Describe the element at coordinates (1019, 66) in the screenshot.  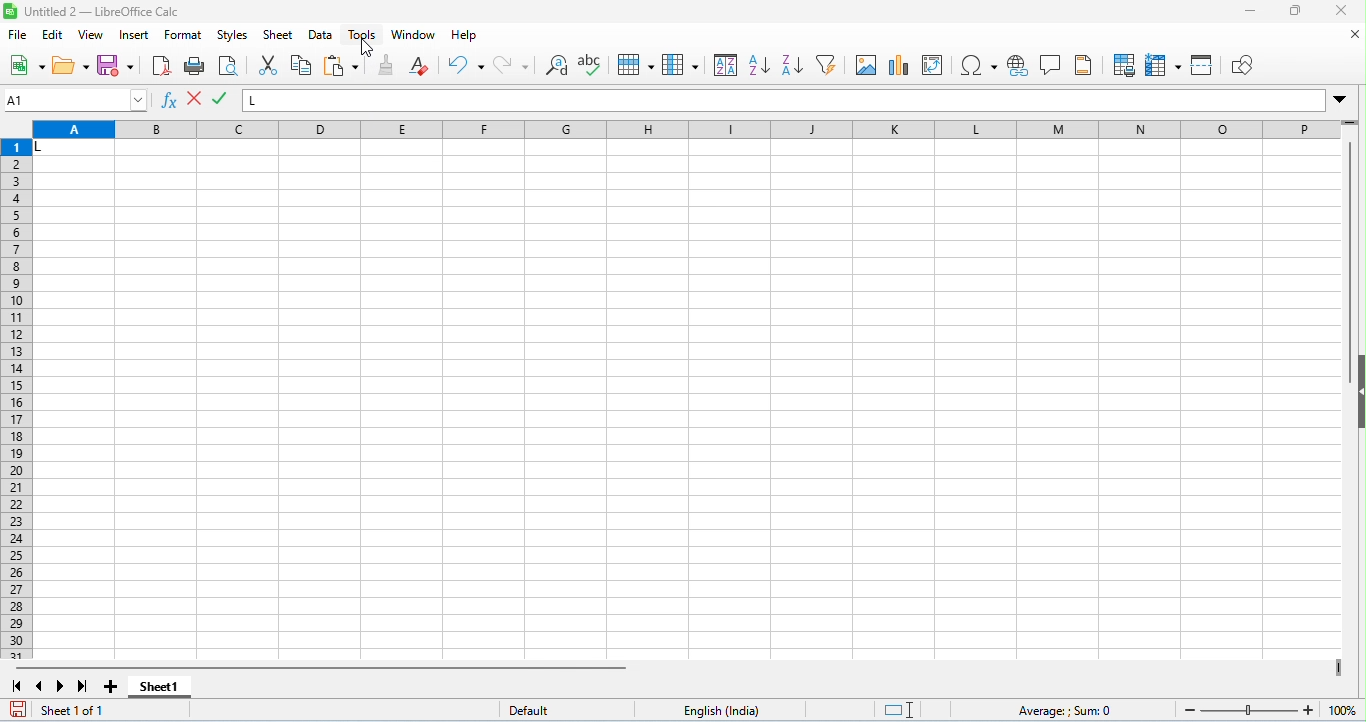
I see `insert hyperlink` at that location.